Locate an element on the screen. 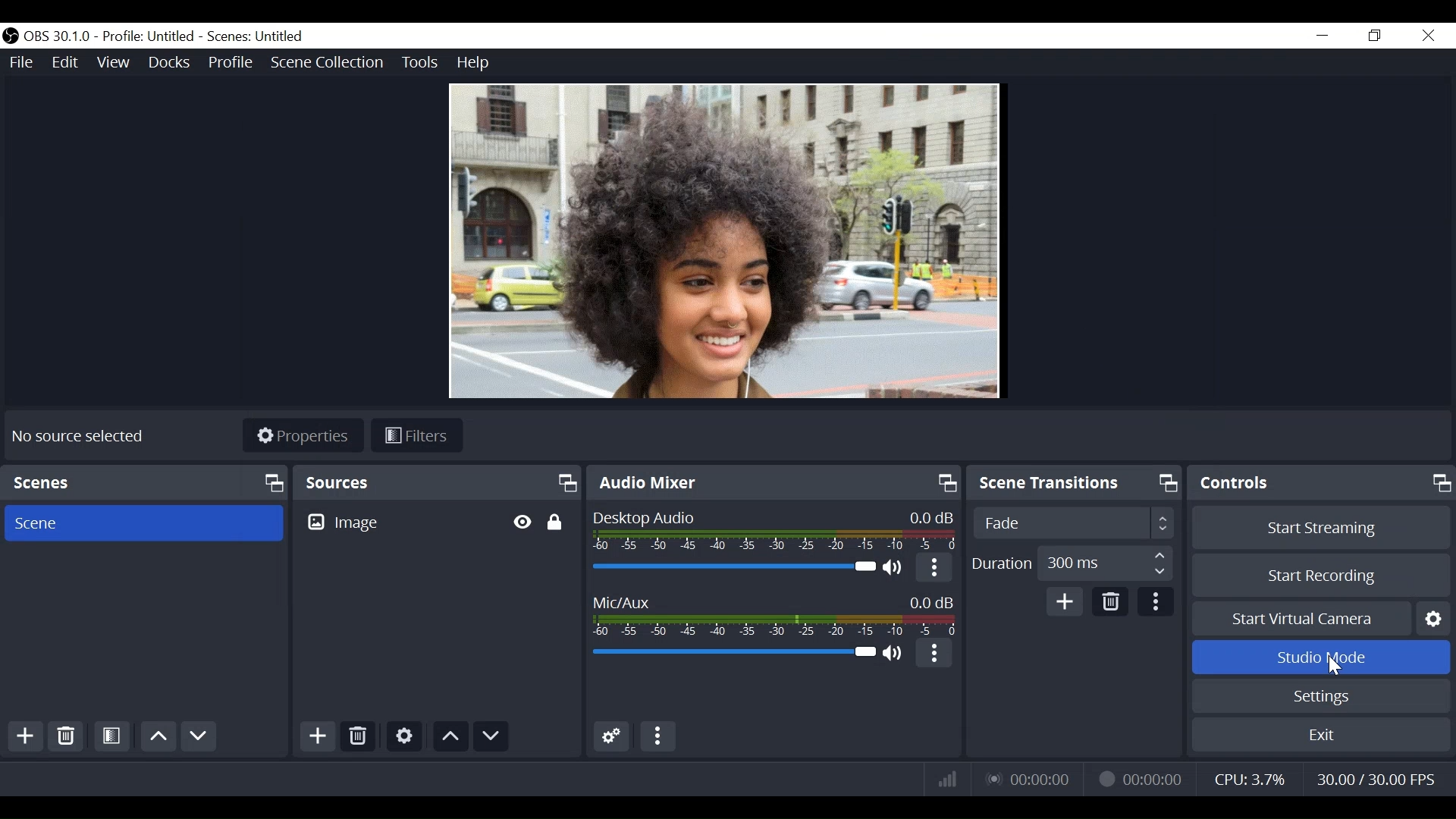 This screenshot has height=819, width=1456. Toggle Lock/Unlock is located at coordinates (554, 520).